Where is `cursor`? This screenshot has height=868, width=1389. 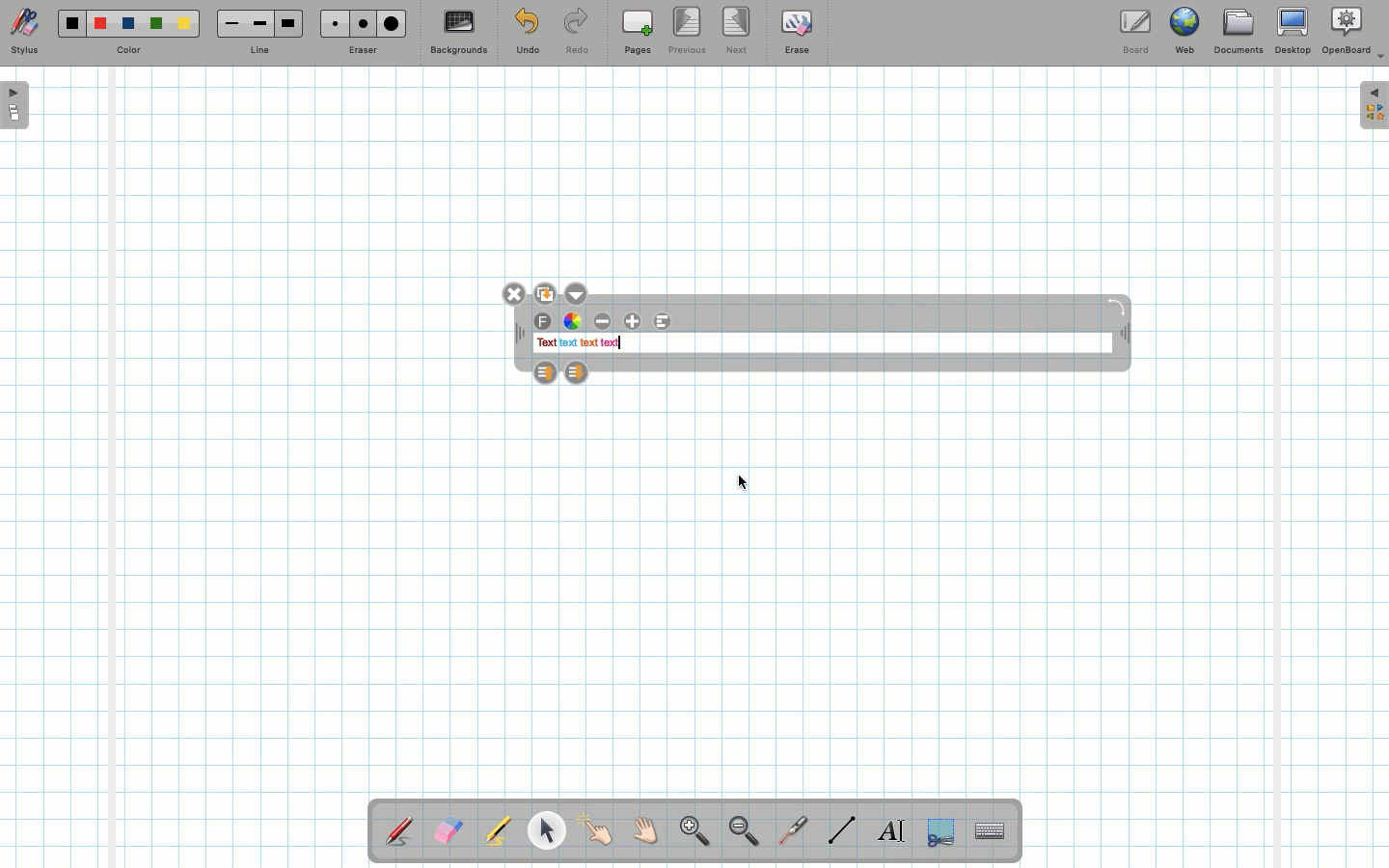
cursor is located at coordinates (744, 483).